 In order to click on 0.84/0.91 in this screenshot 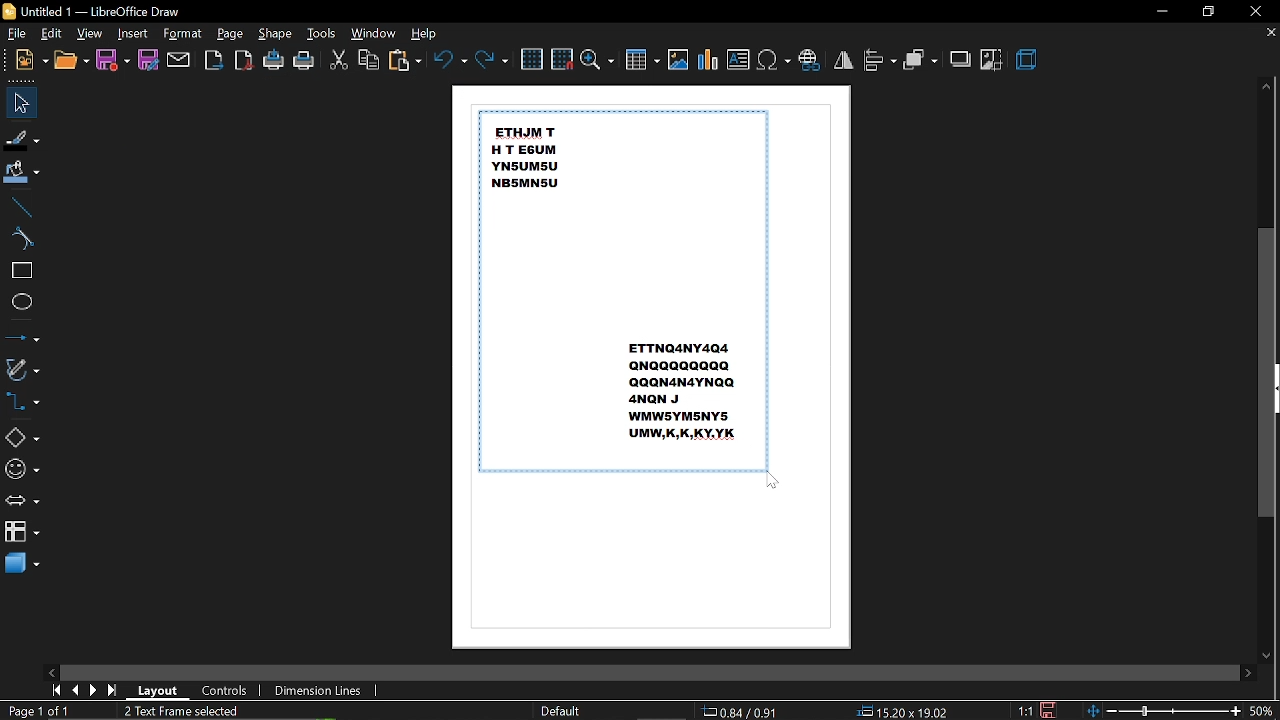, I will do `click(742, 711)`.